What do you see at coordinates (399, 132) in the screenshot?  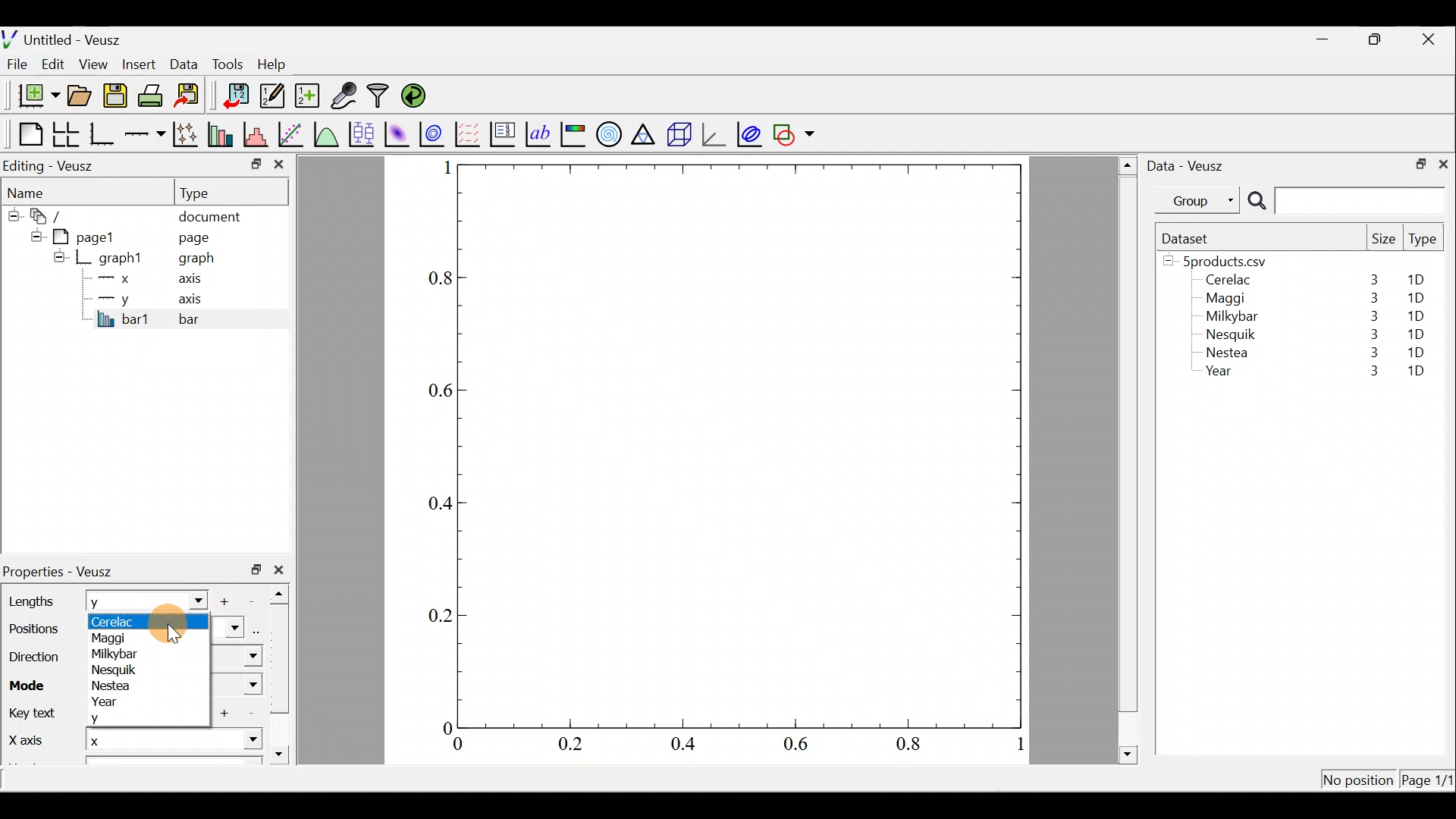 I see `Plot a 2d dataset as an image` at bounding box center [399, 132].